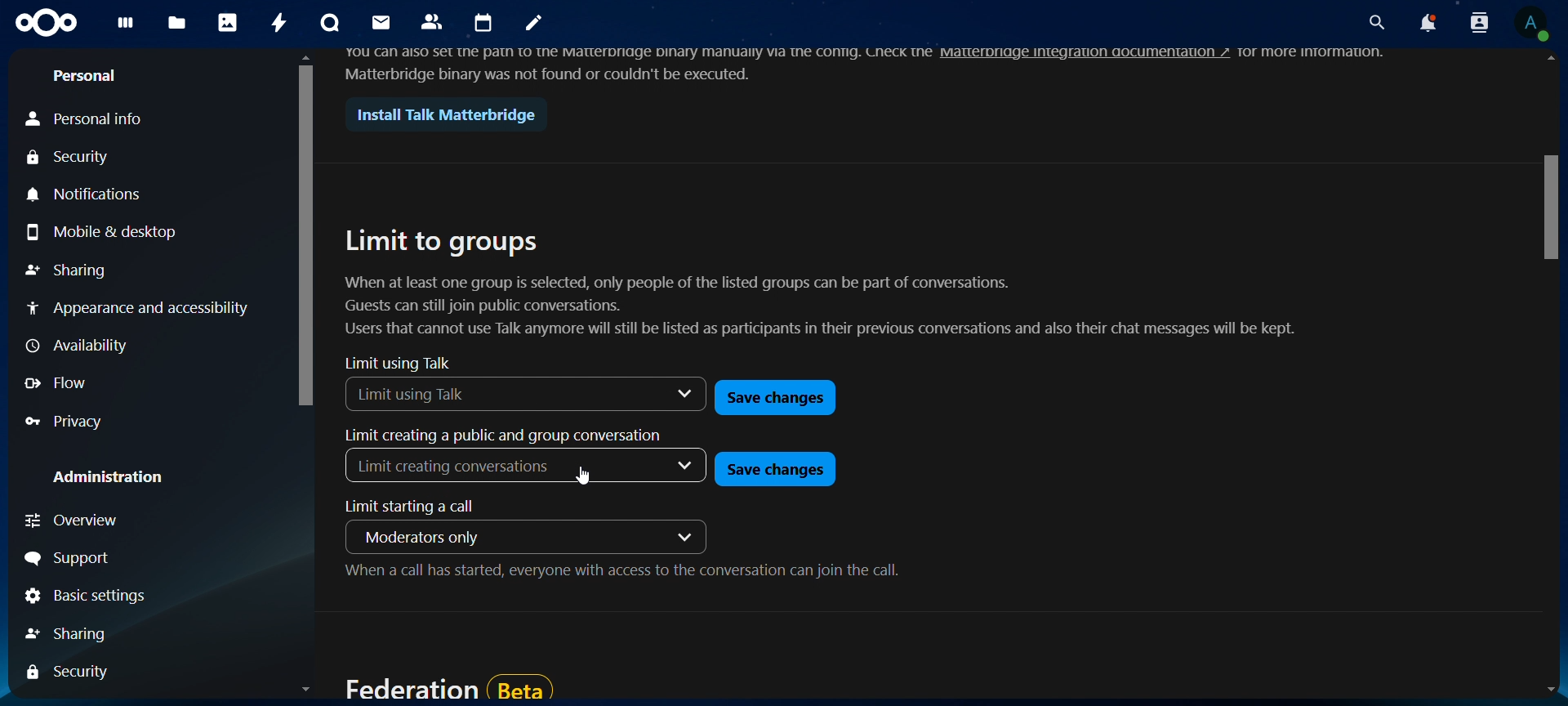 The height and width of the screenshot is (706, 1568). Describe the element at coordinates (773, 395) in the screenshot. I see `save changes` at that location.